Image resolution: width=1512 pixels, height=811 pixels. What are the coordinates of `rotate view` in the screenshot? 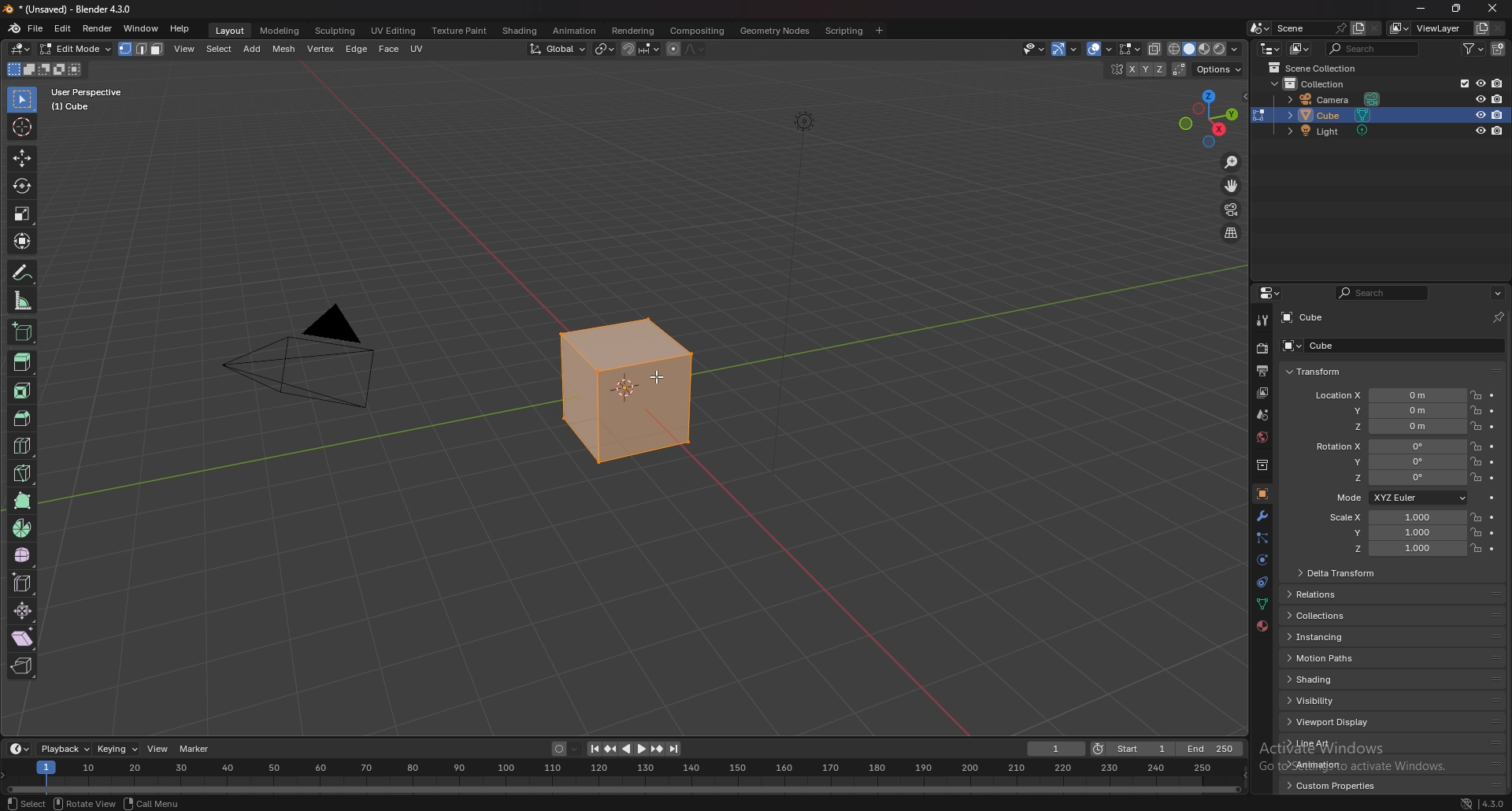 It's located at (87, 803).